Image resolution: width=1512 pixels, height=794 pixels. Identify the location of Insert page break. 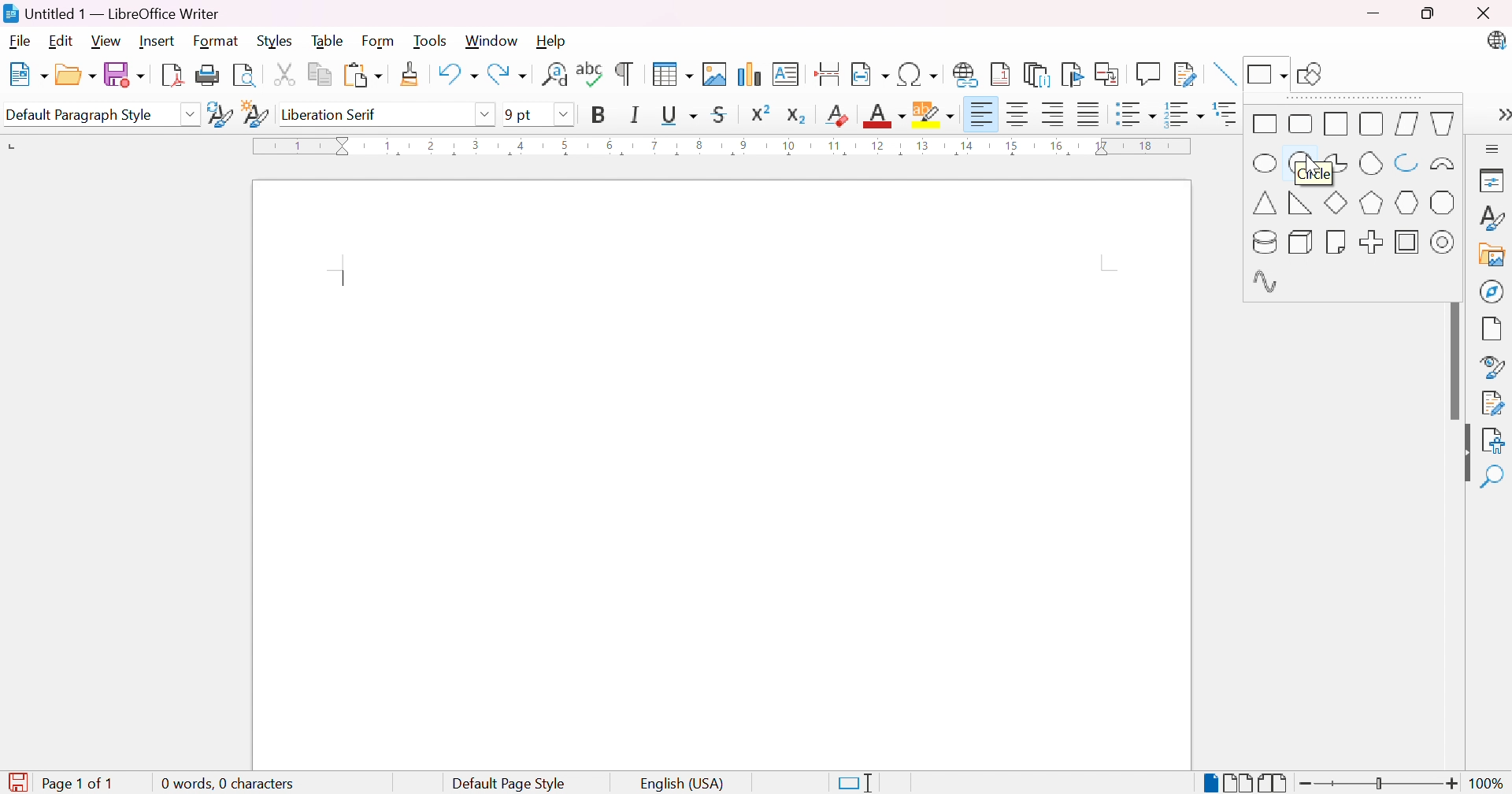
(827, 74).